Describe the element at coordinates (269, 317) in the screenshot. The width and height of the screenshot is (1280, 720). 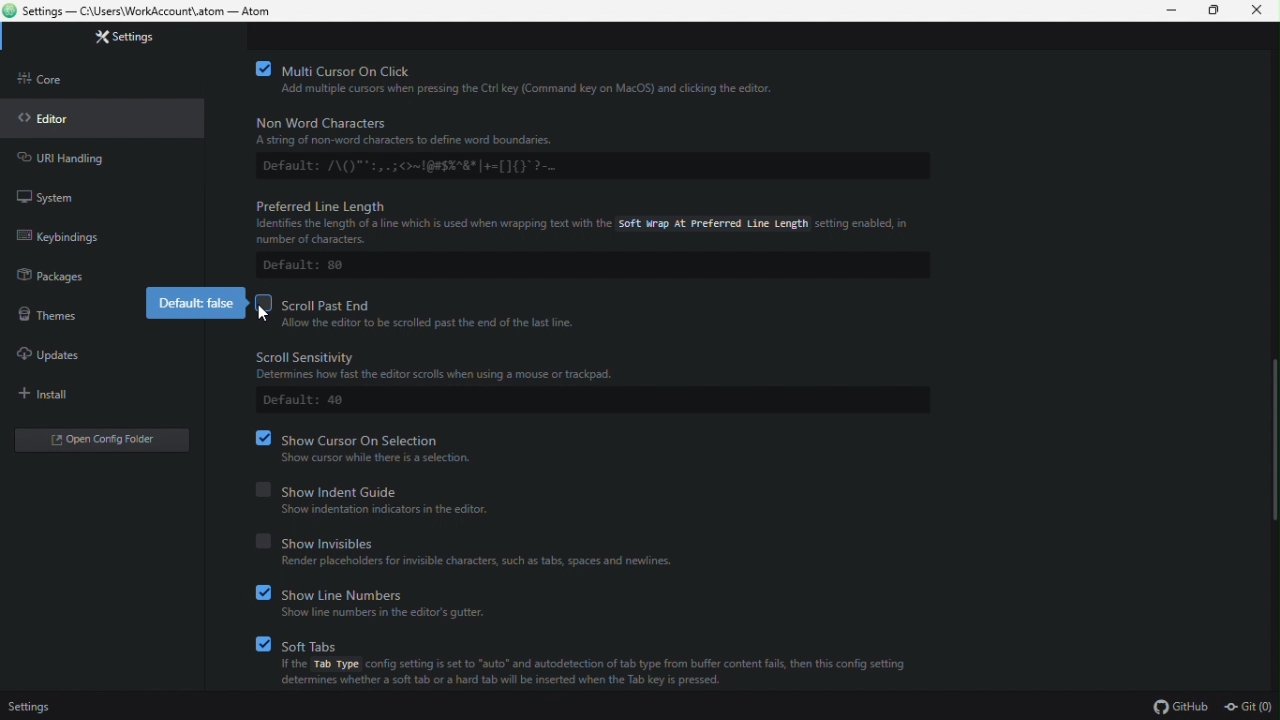
I see `cursor` at that location.